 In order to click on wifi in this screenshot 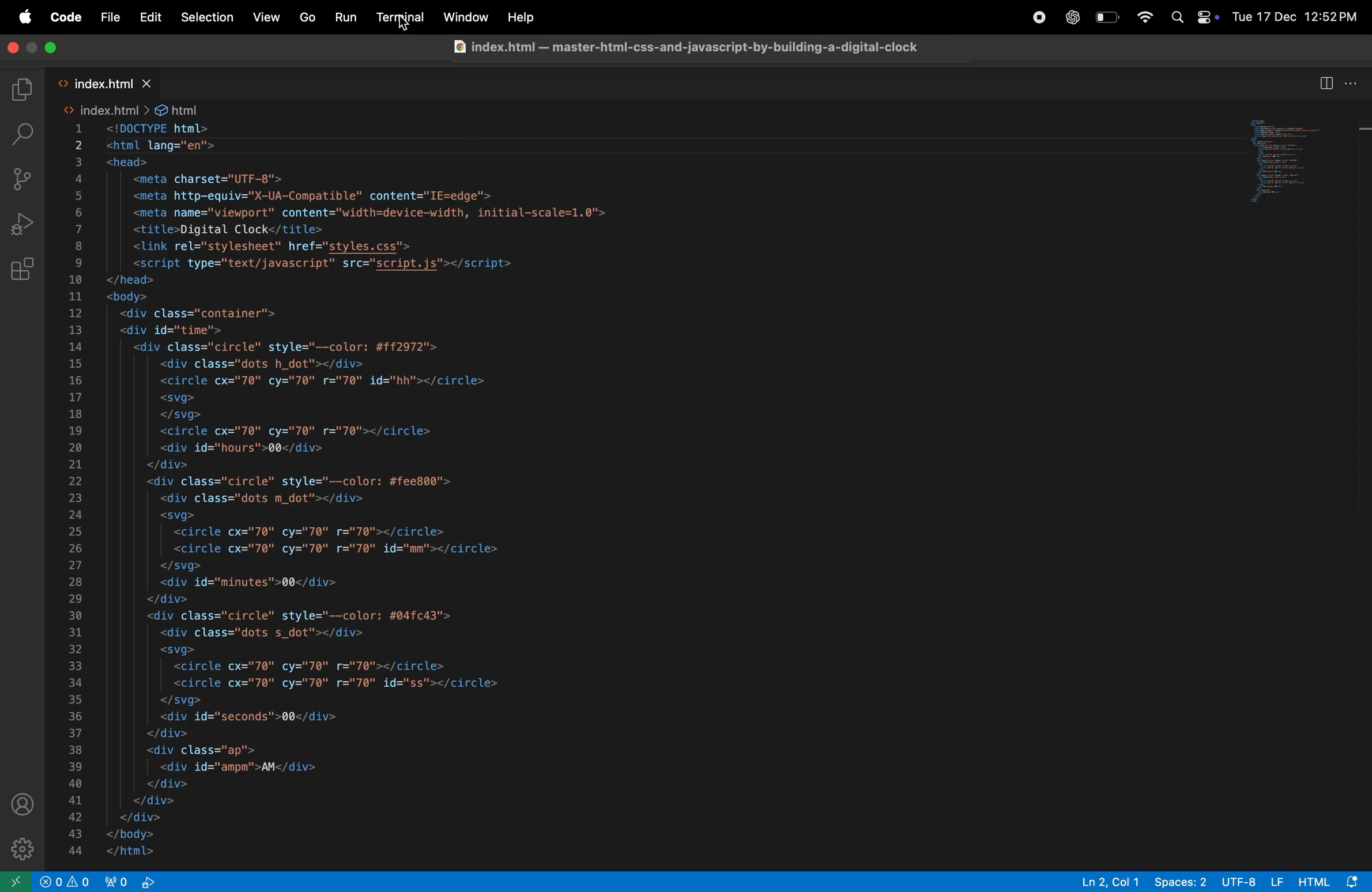, I will do `click(1146, 18)`.